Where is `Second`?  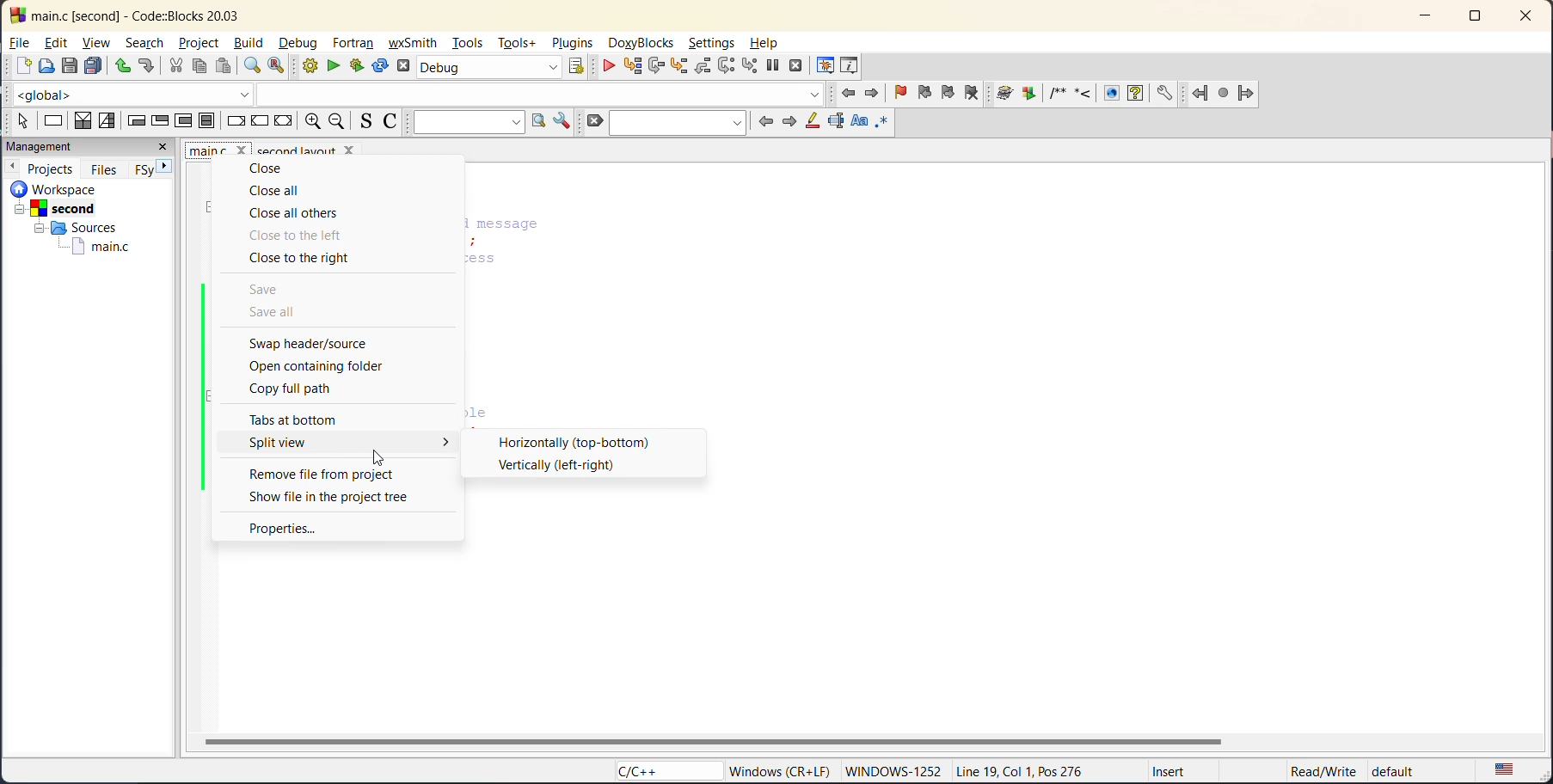 Second is located at coordinates (66, 207).